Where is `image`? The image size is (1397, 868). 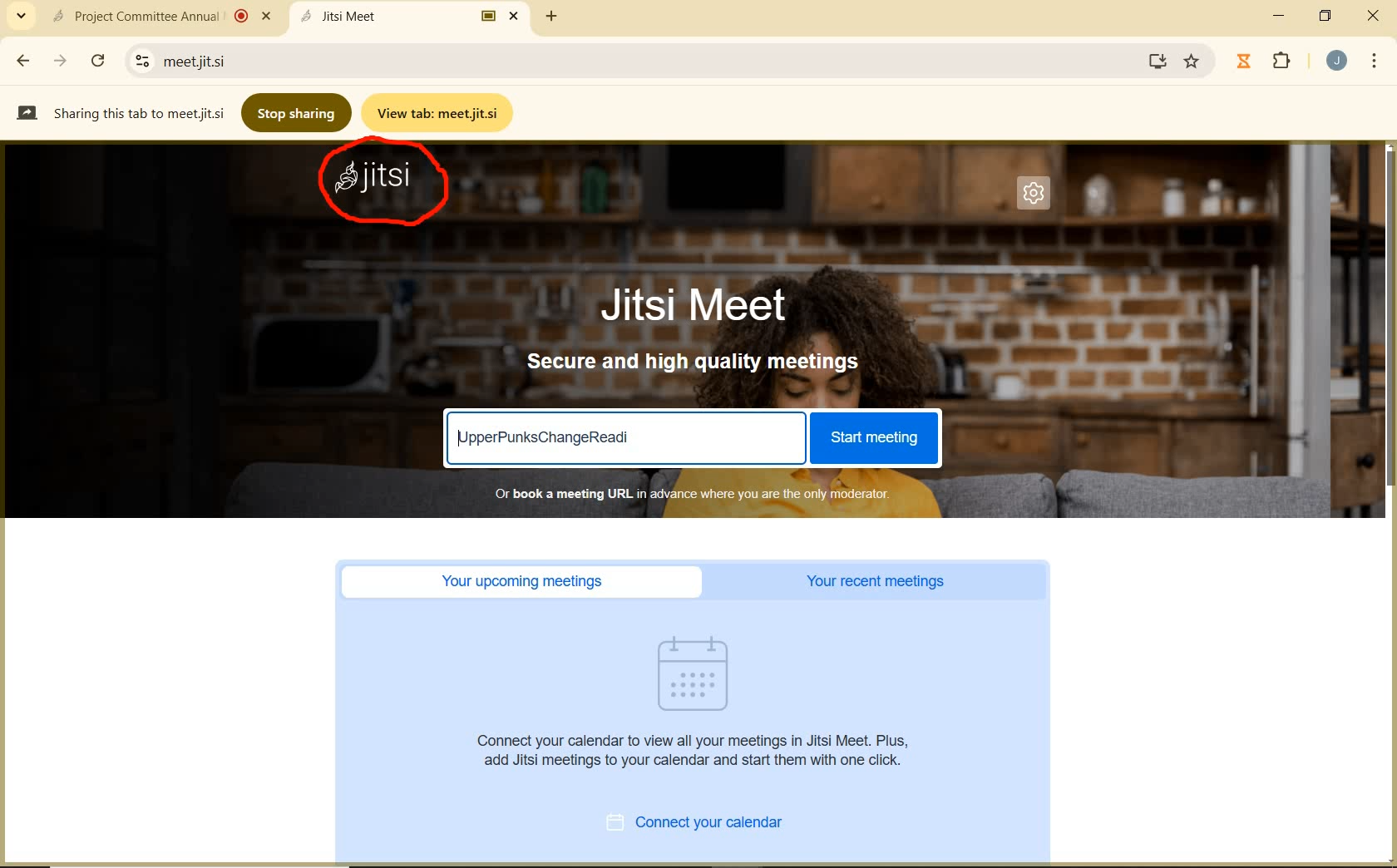 image is located at coordinates (702, 673).